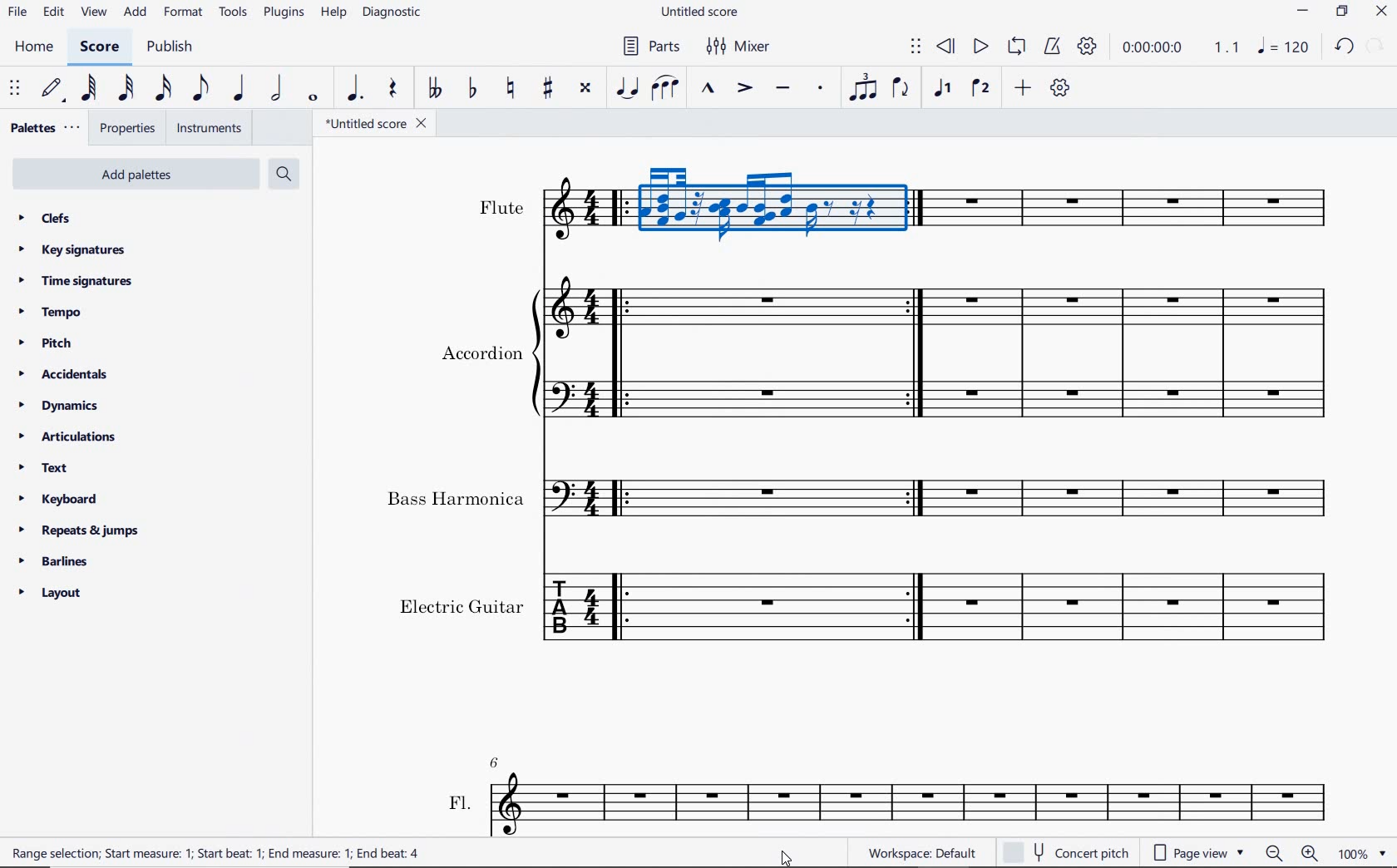 The width and height of the screenshot is (1397, 868). Describe the element at coordinates (279, 87) in the screenshot. I see `half note` at that location.